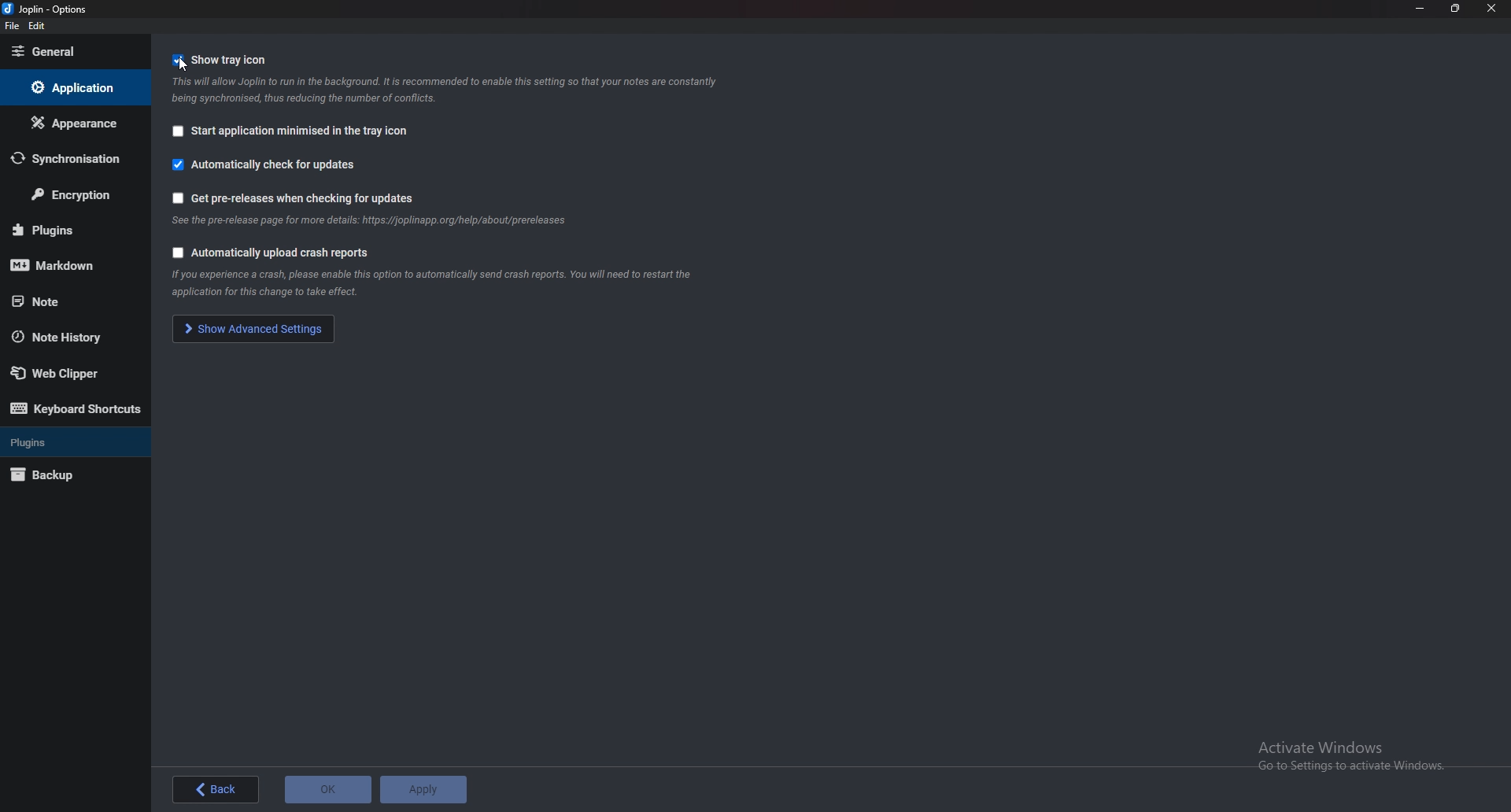  What do you see at coordinates (423, 789) in the screenshot?
I see `Apply` at bounding box center [423, 789].